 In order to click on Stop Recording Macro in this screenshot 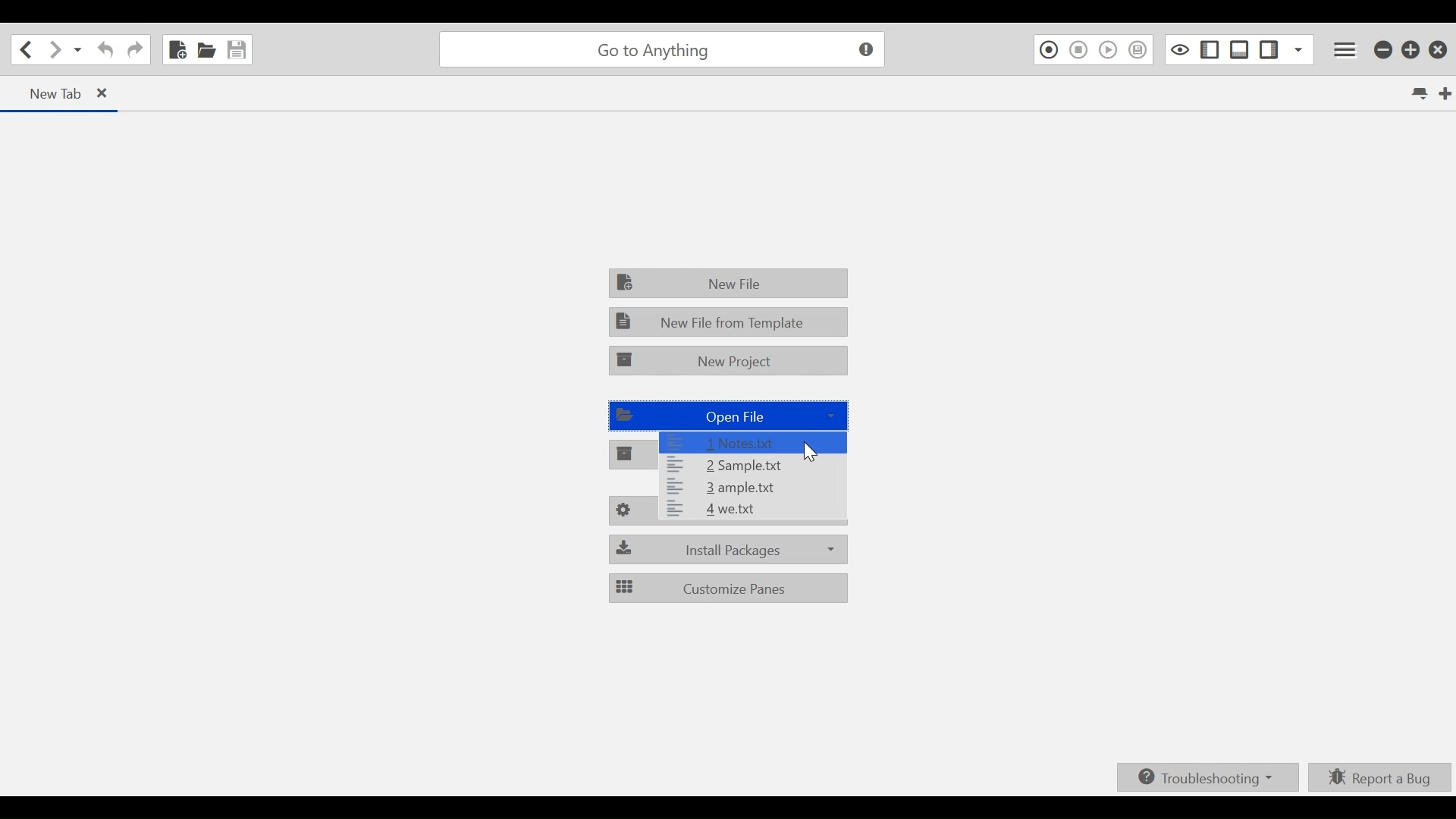, I will do `click(1078, 50)`.